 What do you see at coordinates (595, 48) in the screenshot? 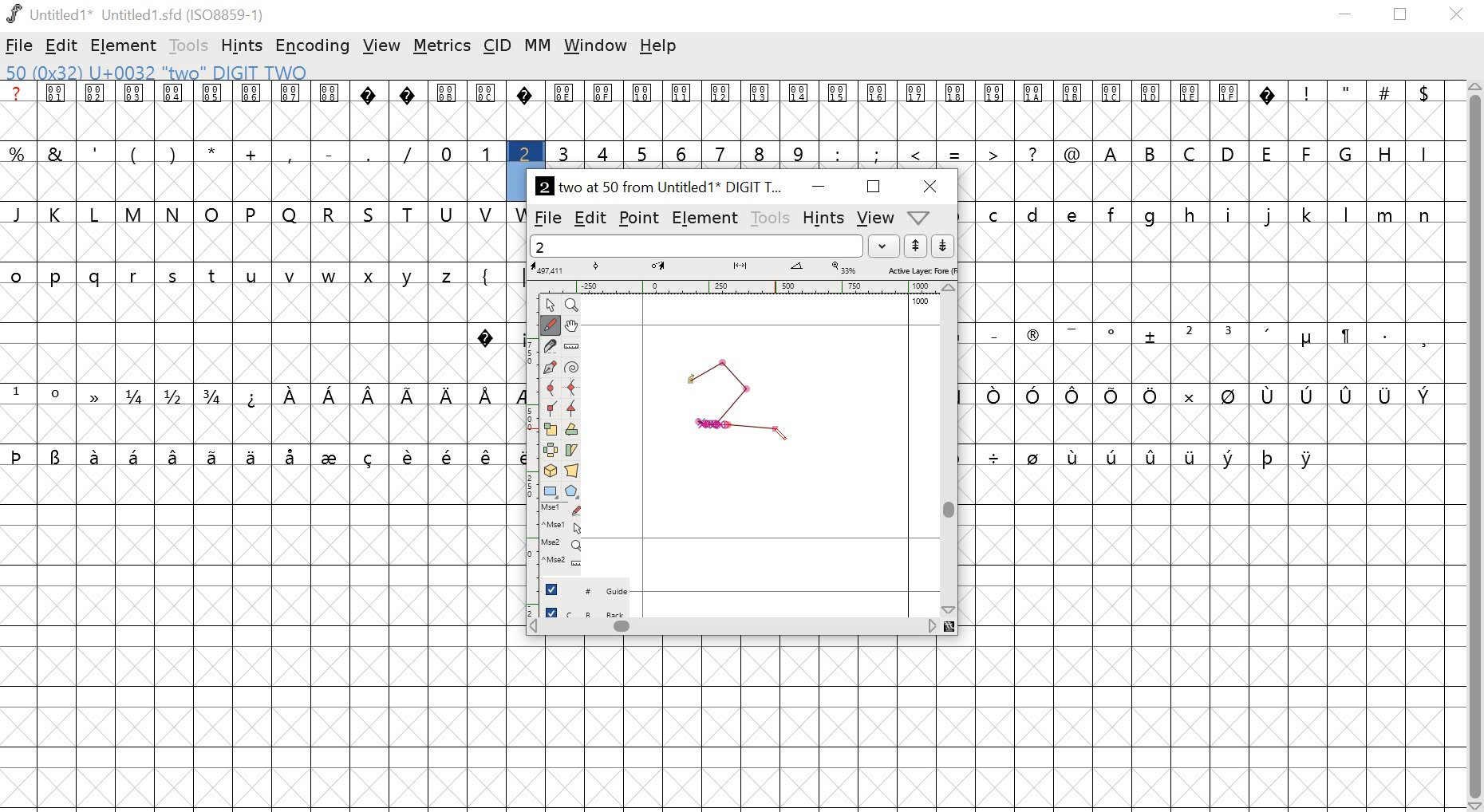
I see `window` at bounding box center [595, 48].